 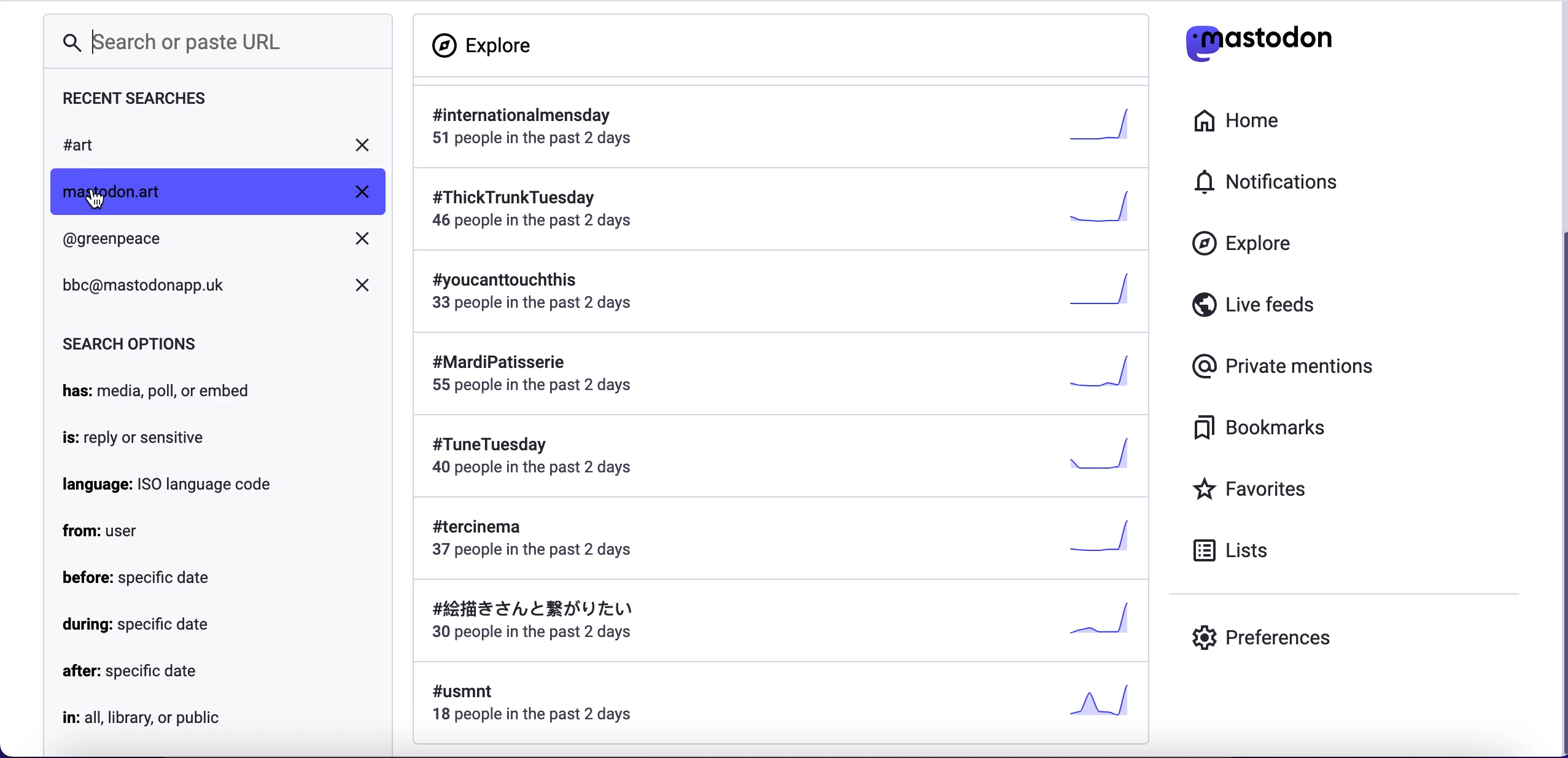 What do you see at coordinates (220, 190) in the screenshot?
I see `mastodon.art` at bounding box center [220, 190].